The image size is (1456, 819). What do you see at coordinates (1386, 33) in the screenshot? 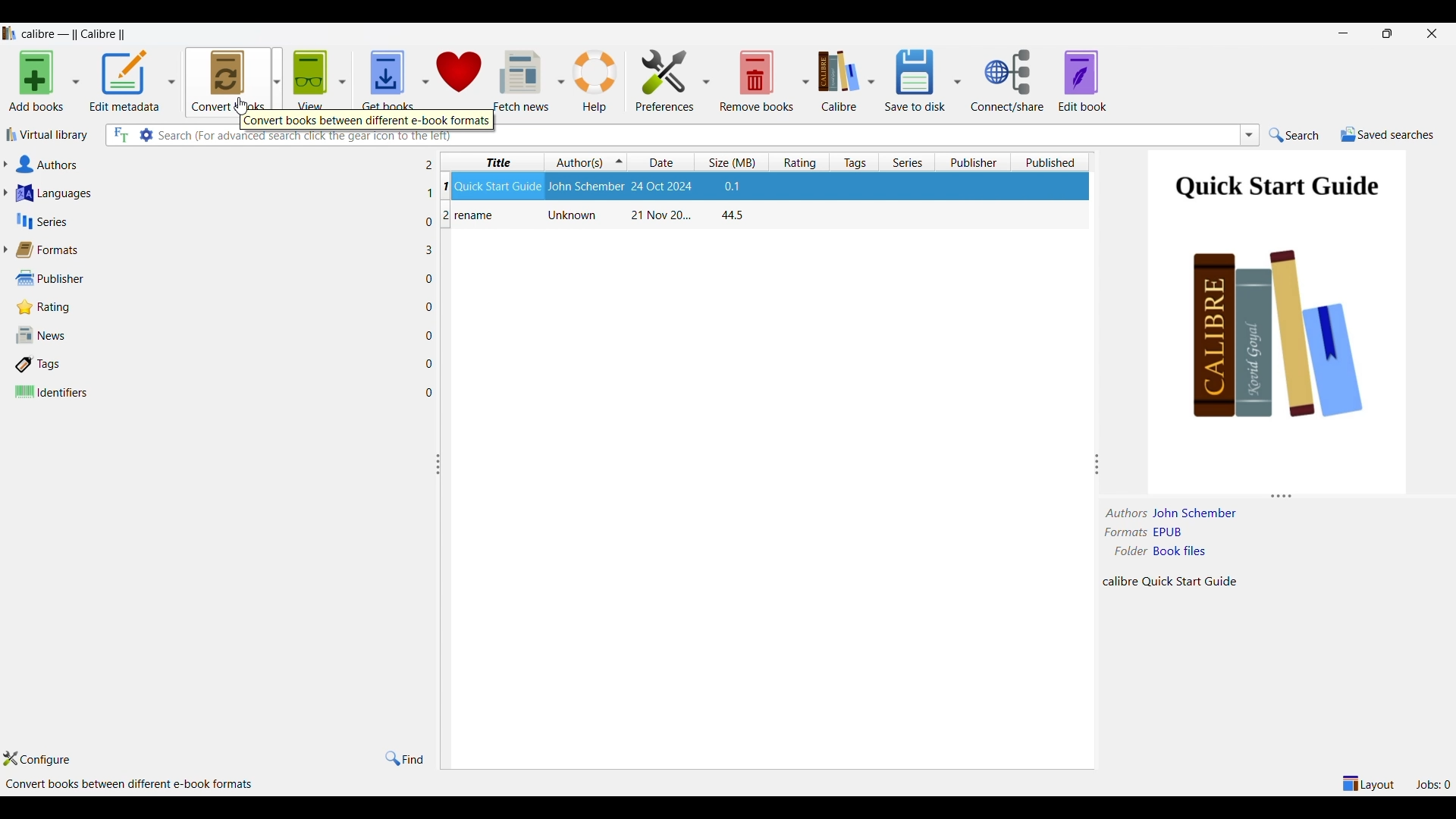
I see `restore` at bounding box center [1386, 33].